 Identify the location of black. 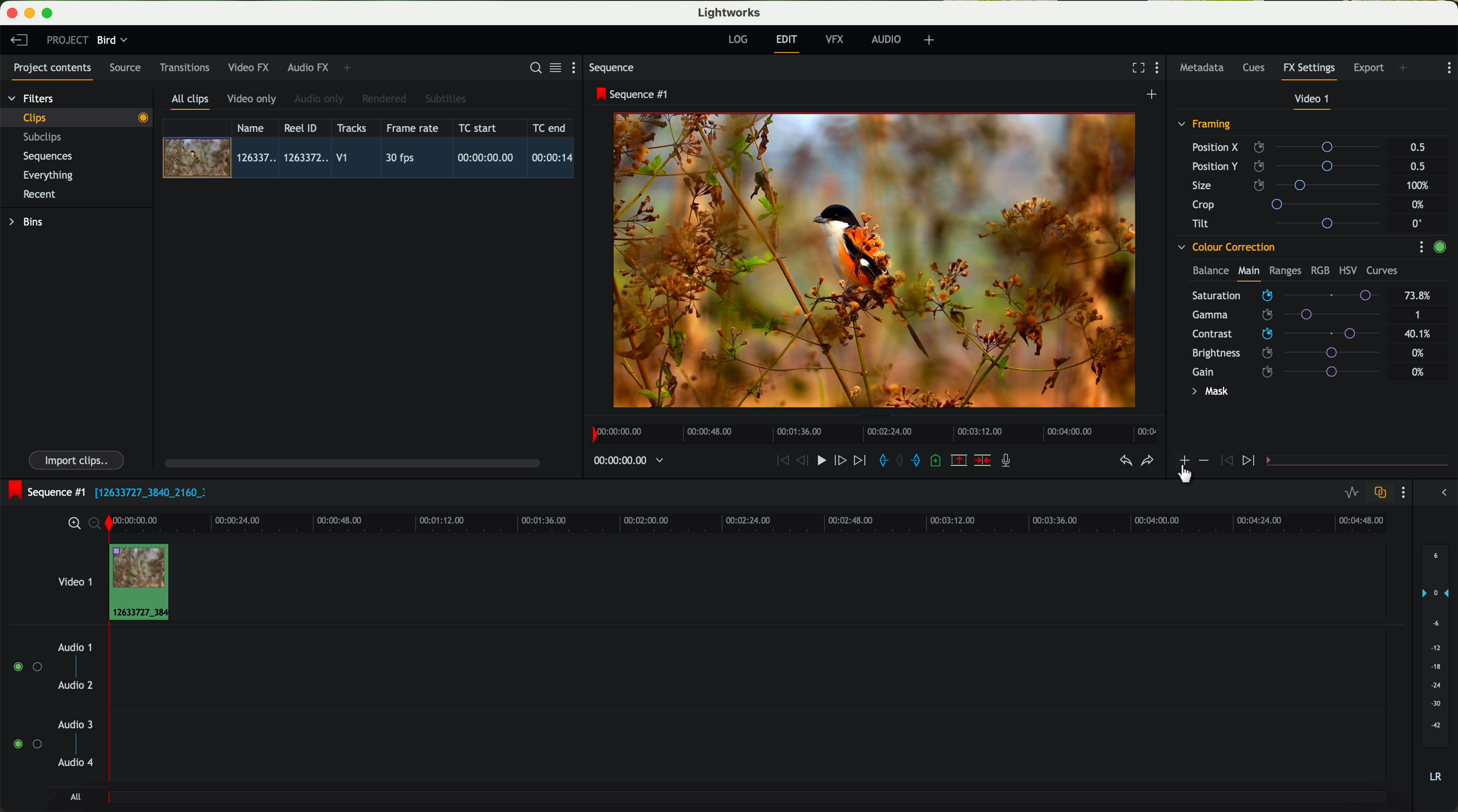
(146, 491).